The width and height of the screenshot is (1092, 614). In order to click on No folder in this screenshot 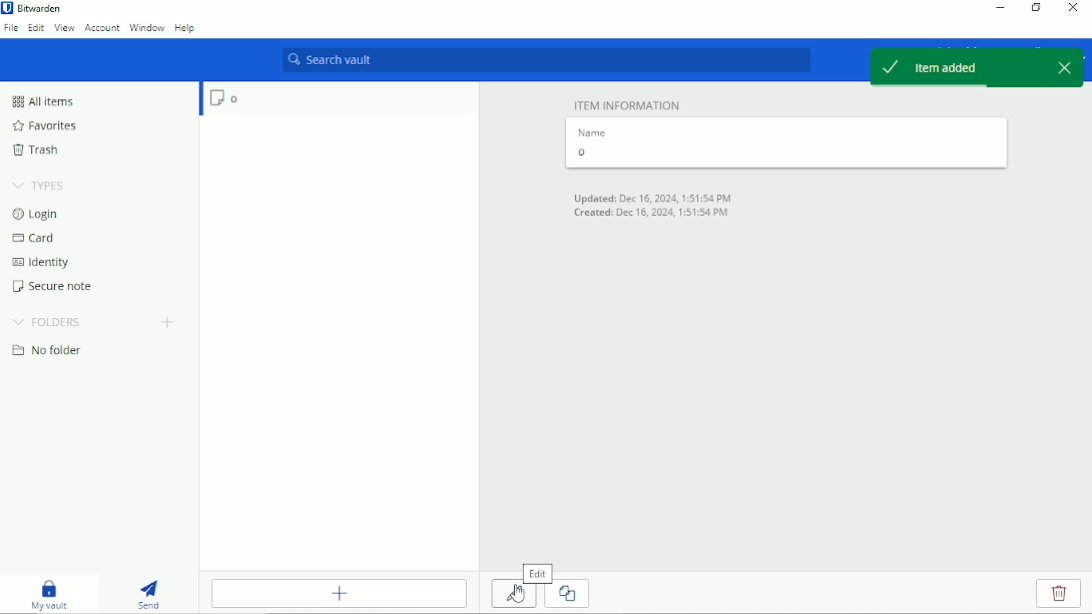, I will do `click(47, 351)`.